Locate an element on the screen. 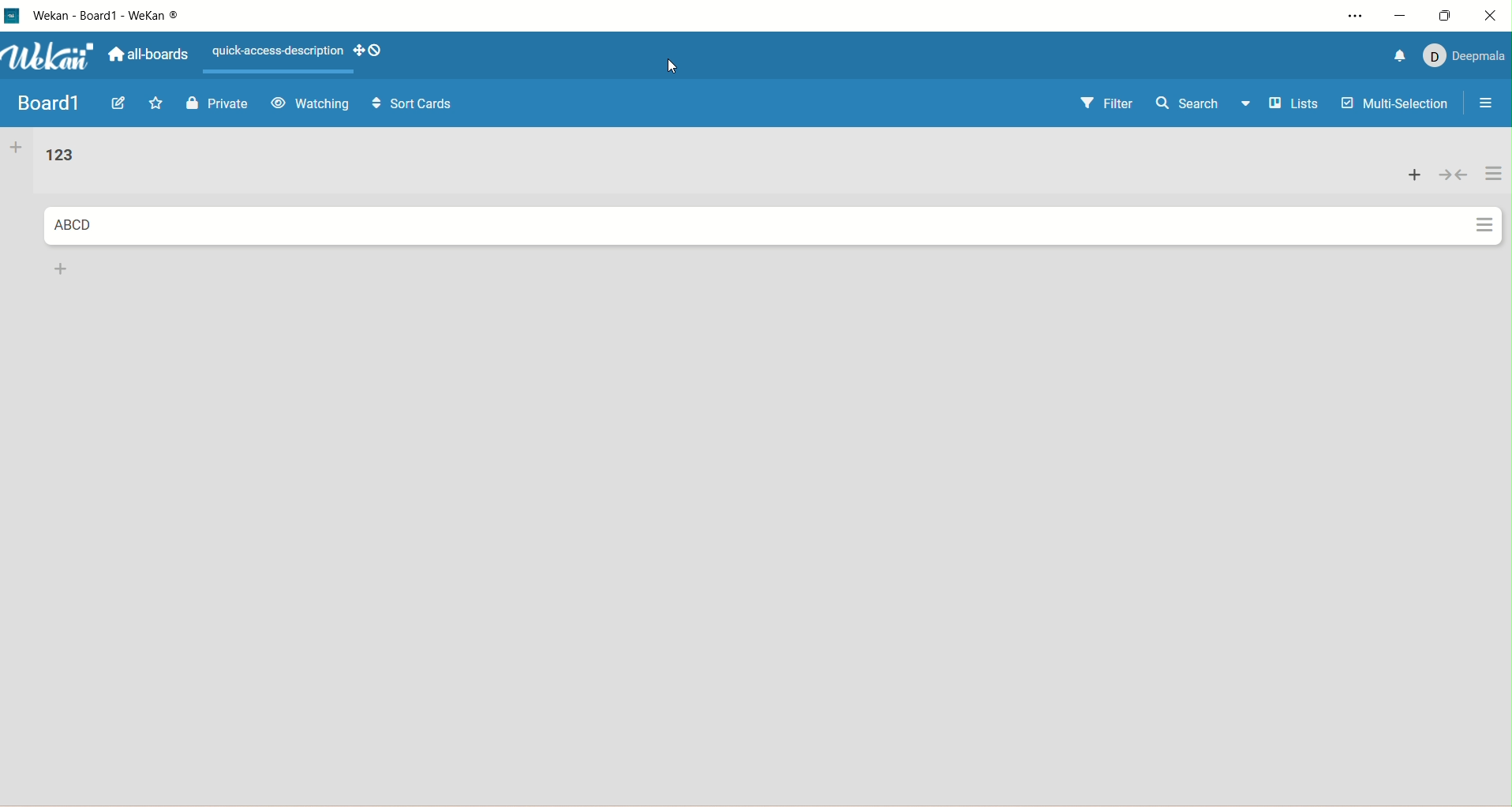 The width and height of the screenshot is (1512, 807). lists is located at coordinates (1299, 105).